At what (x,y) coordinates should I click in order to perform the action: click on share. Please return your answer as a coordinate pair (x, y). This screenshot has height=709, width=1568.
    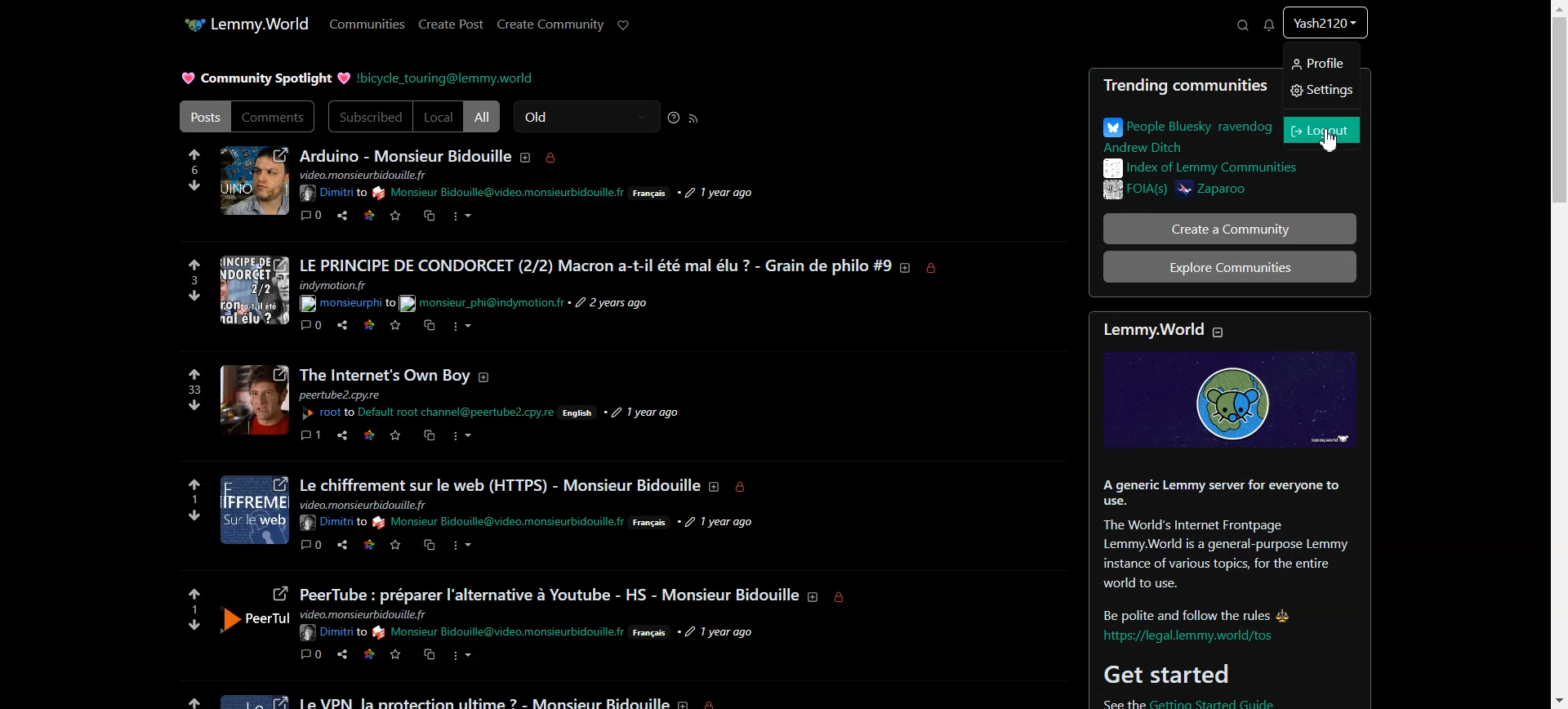
    Looking at the image, I should click on (341, 546).